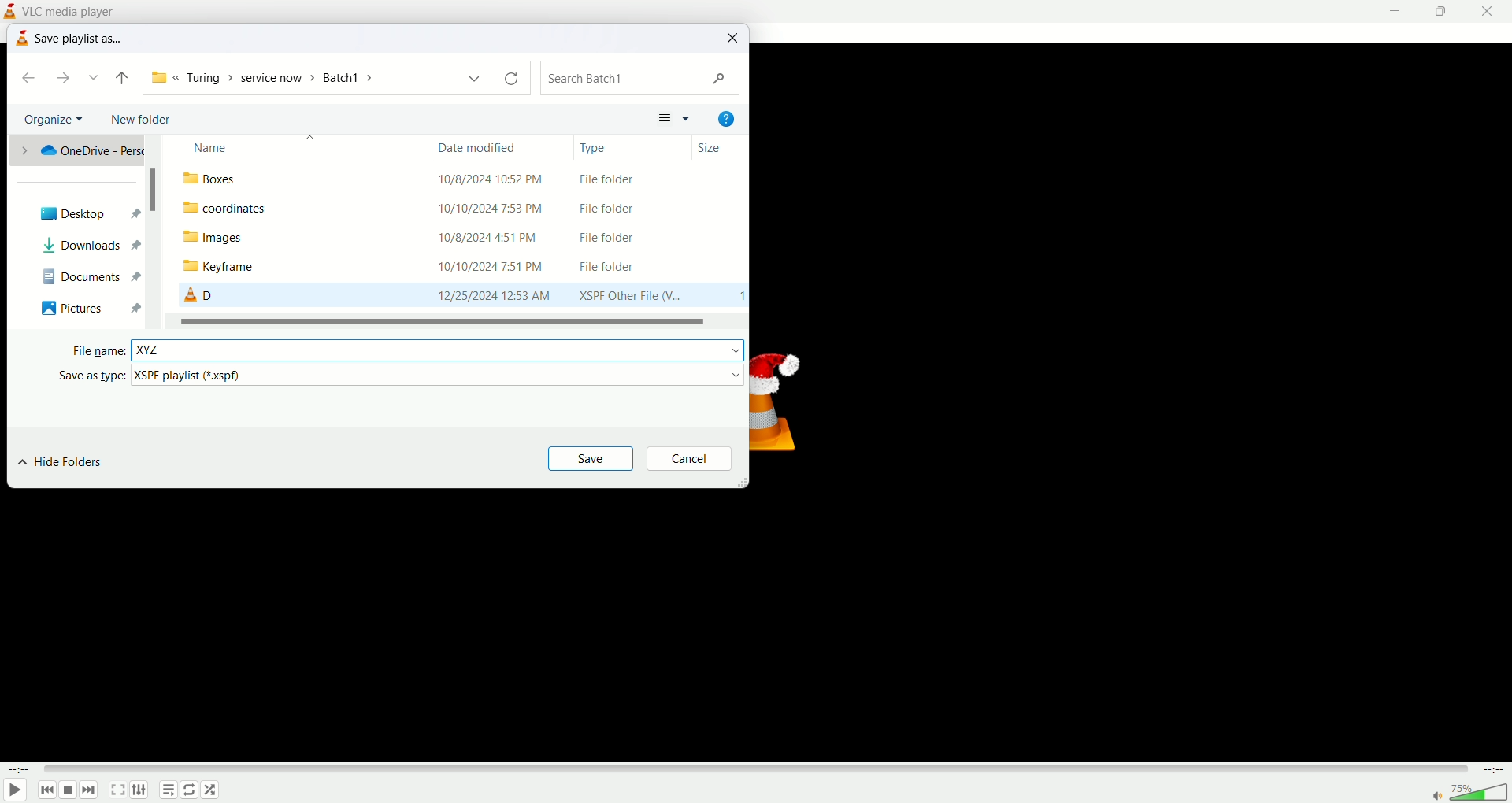 The height and width of the screenshot is (803, 1512). Describe the element at coordinates (69, 79) in the screenshot. I see `next` at that location.